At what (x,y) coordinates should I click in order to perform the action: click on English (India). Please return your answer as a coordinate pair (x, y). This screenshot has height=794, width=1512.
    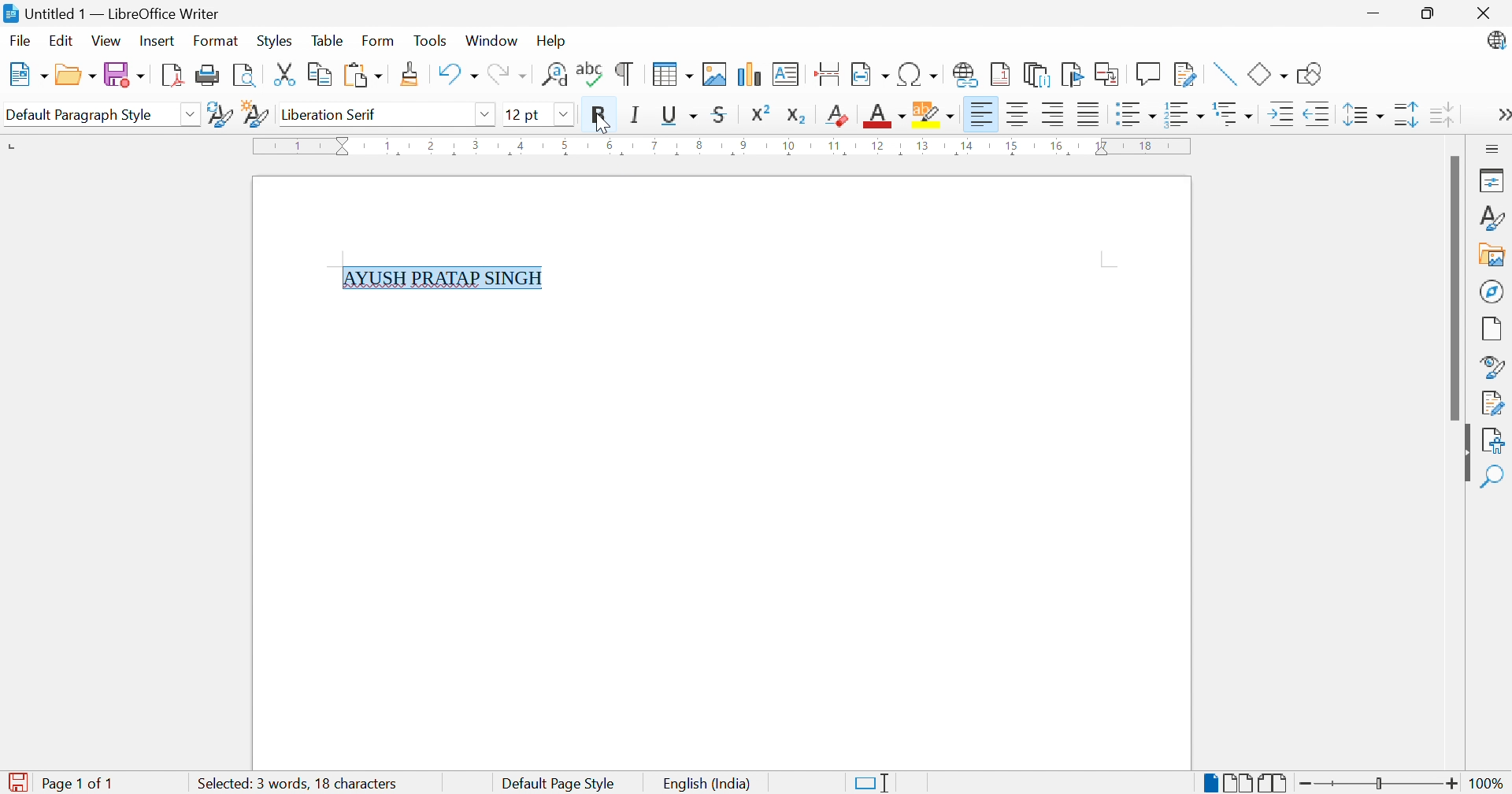
    Looking at the image, I should click on (711, 783).